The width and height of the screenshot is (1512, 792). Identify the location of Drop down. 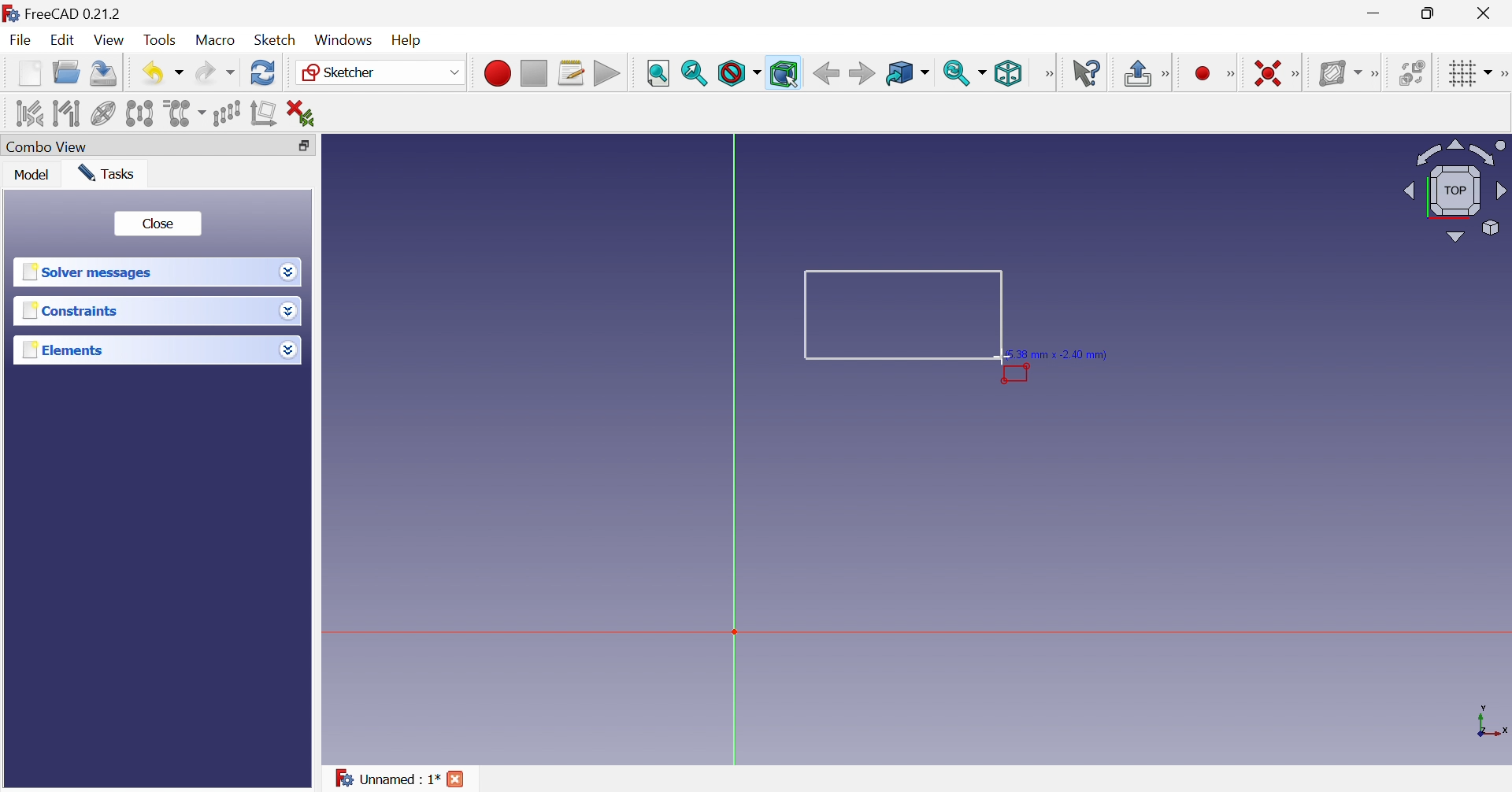
(291, 273).